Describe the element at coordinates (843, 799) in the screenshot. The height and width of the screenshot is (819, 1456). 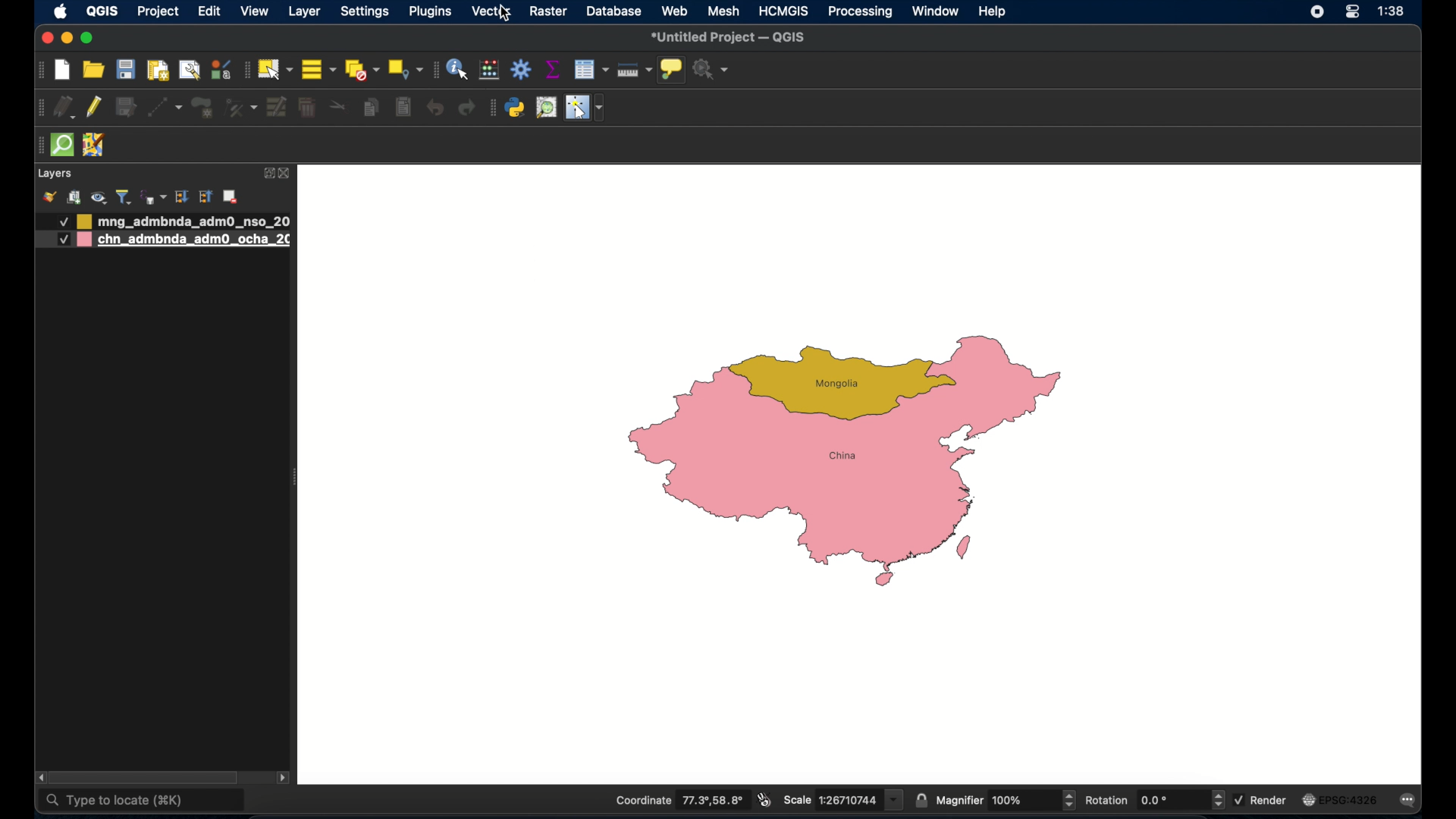
I see `scale` at that location.